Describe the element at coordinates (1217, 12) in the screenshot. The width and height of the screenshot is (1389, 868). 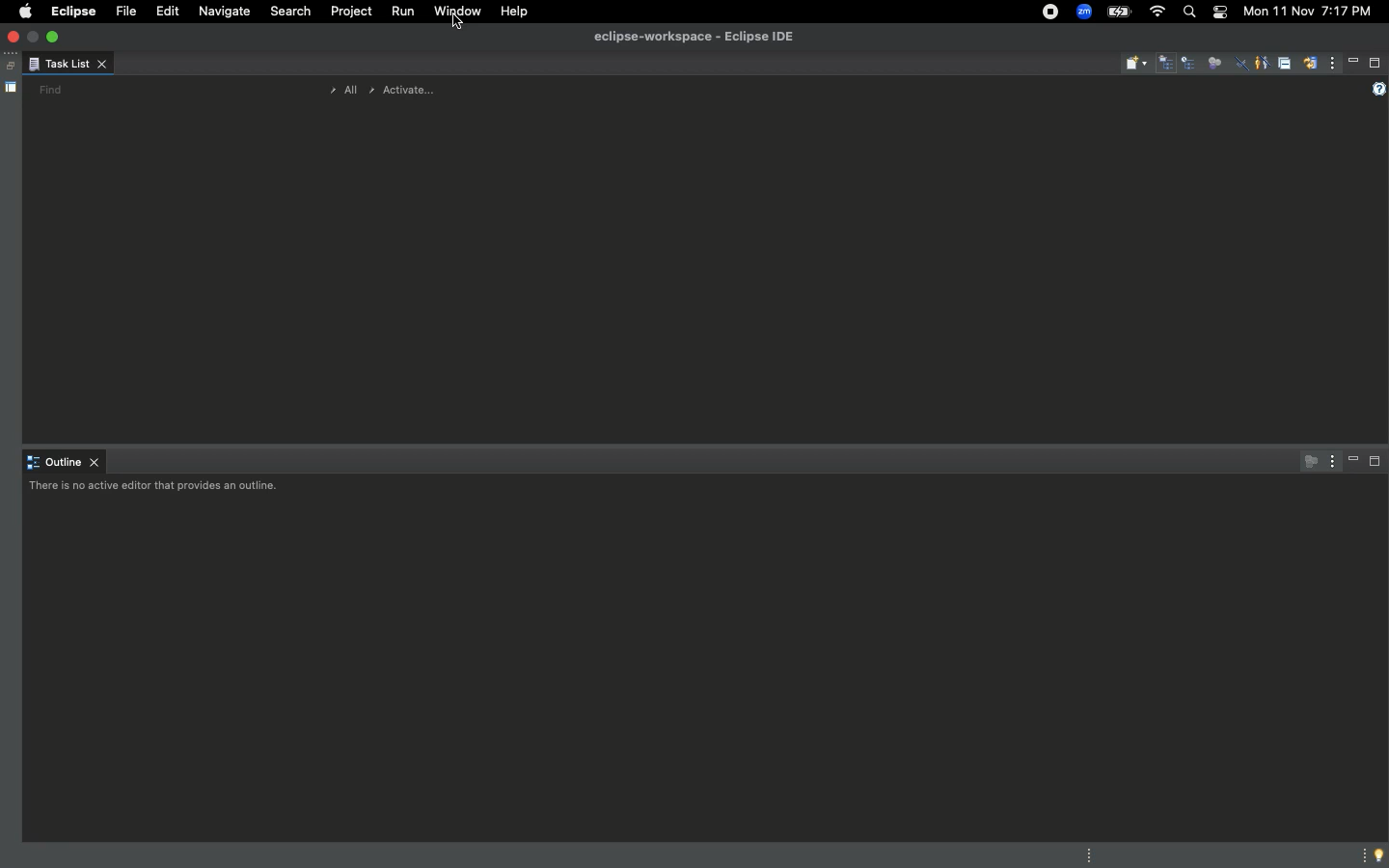
I see `Notification ` at that location.